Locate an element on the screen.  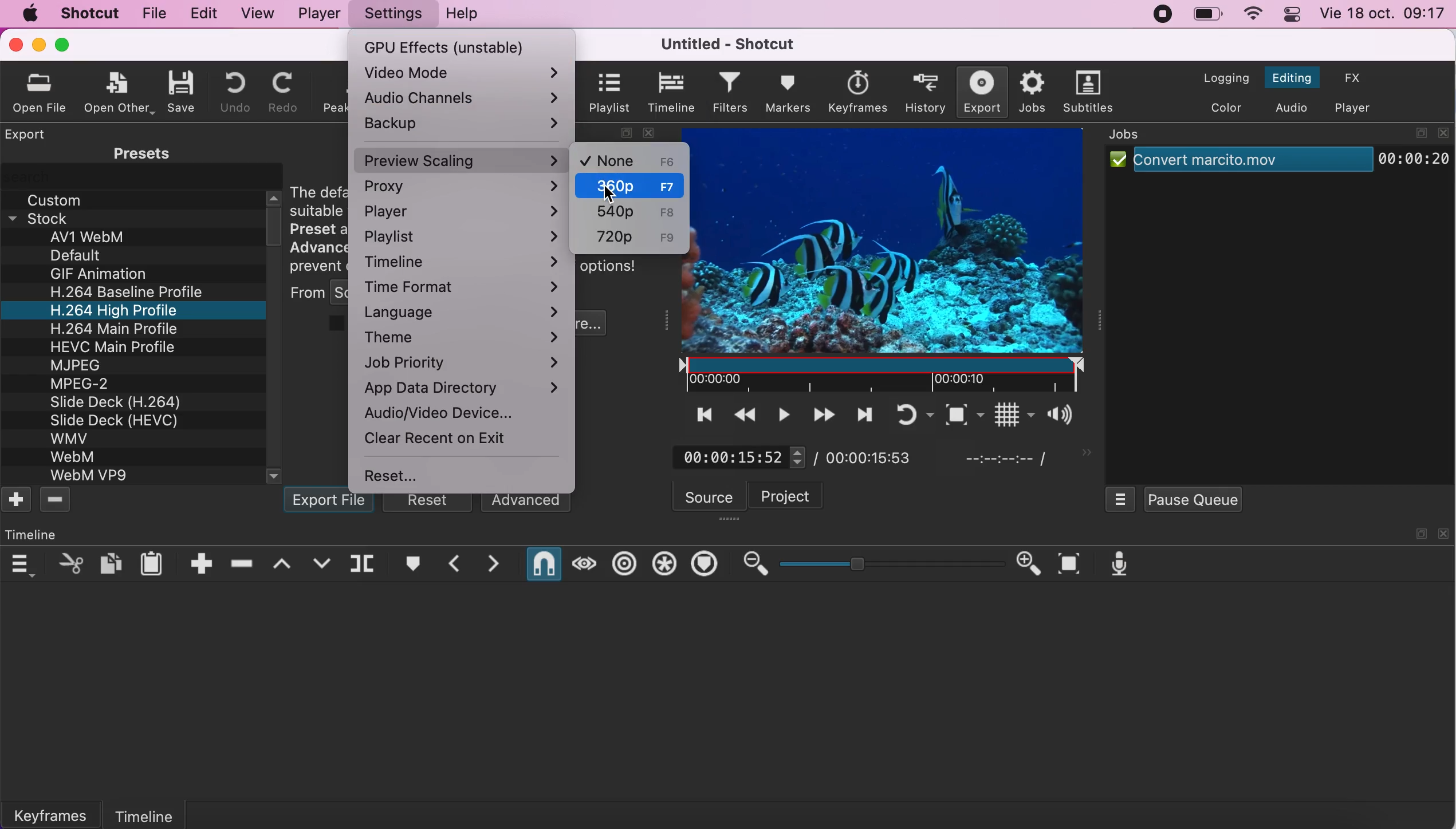
av1 webm is located at coordinates (102, 238).